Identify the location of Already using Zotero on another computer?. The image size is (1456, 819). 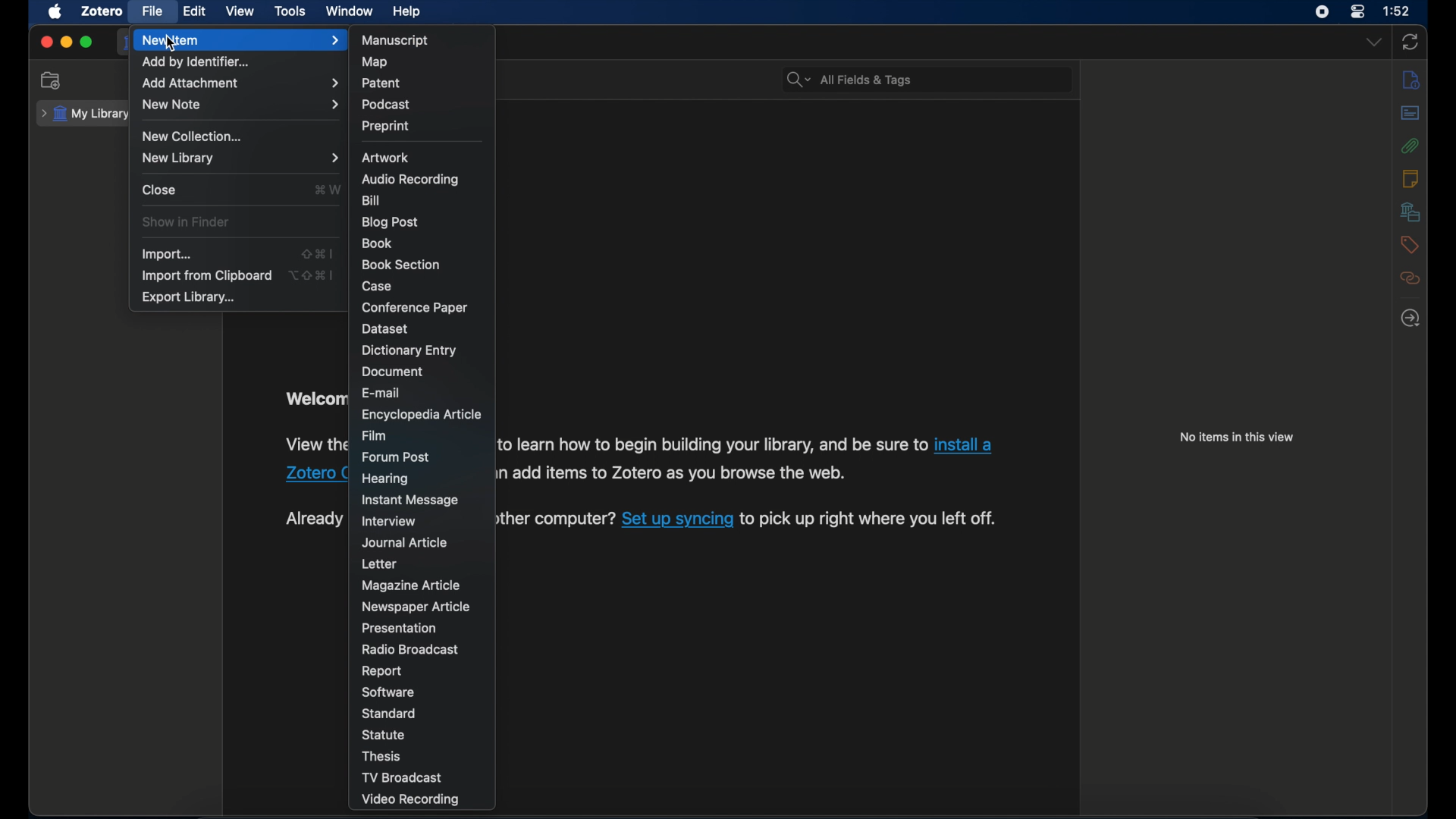
(557, 516).